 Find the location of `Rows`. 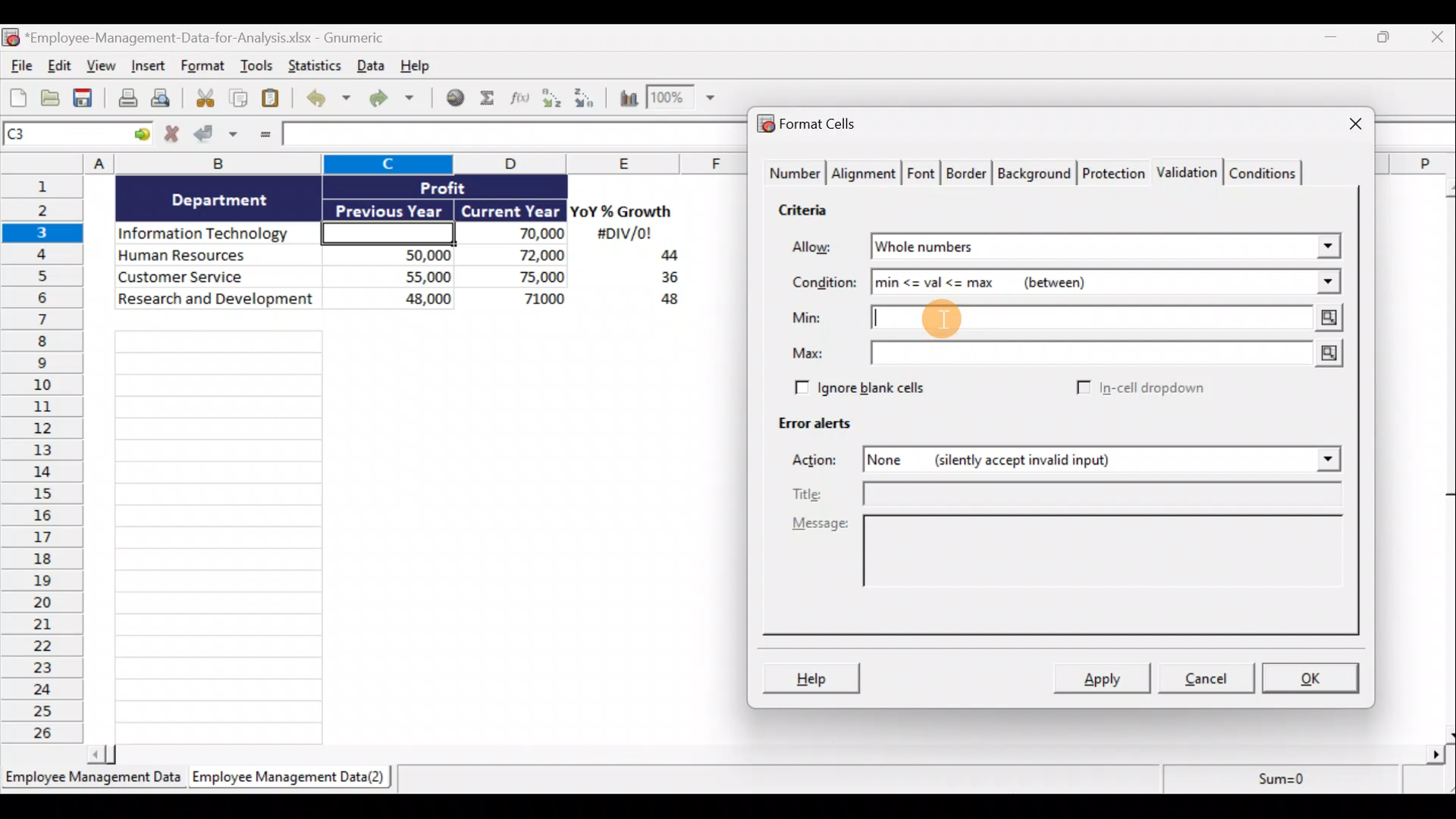

Rows is located at coordinates (47, 462).